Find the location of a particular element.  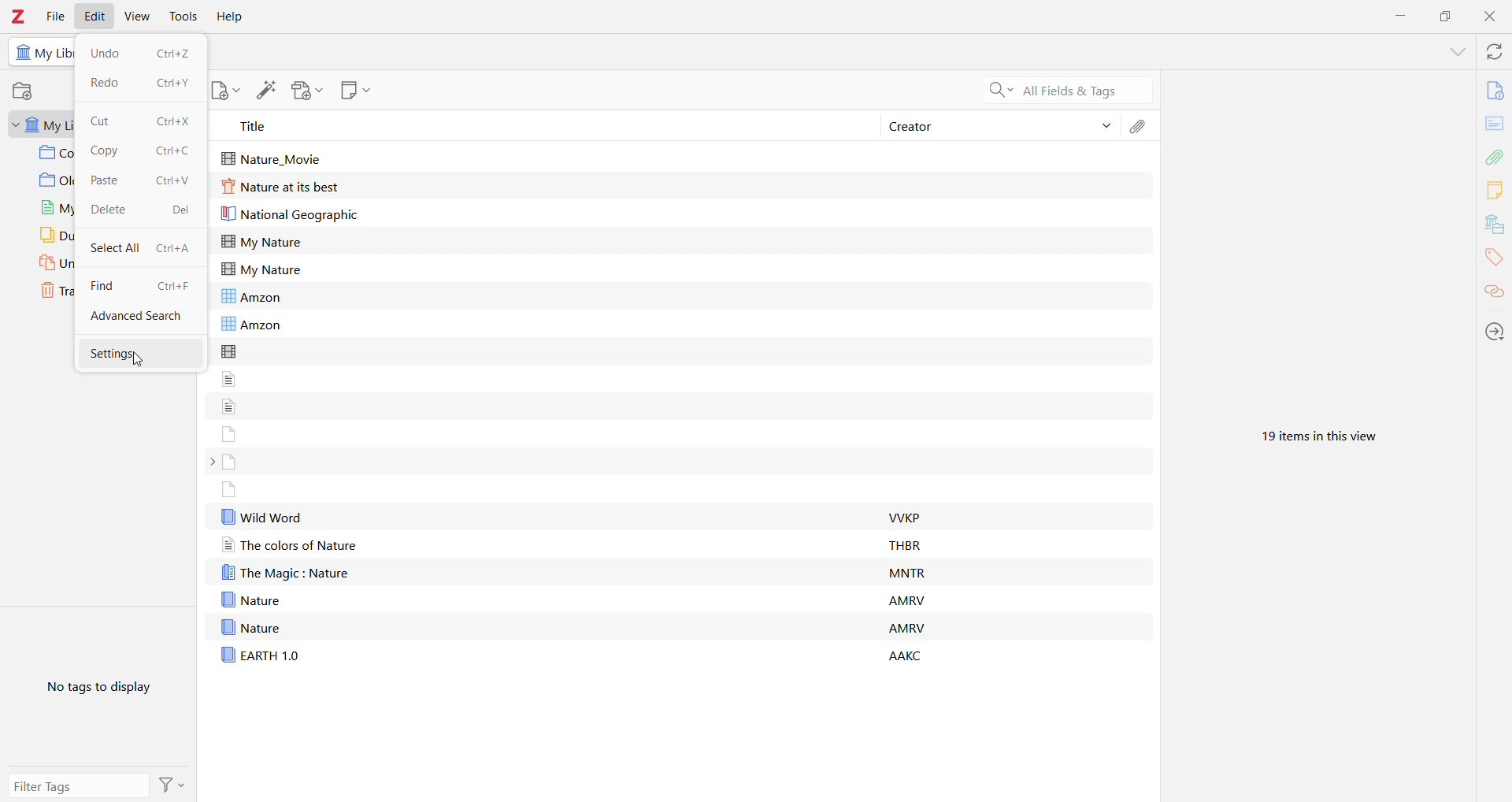

Amzon is located at coordinates (258, 295).